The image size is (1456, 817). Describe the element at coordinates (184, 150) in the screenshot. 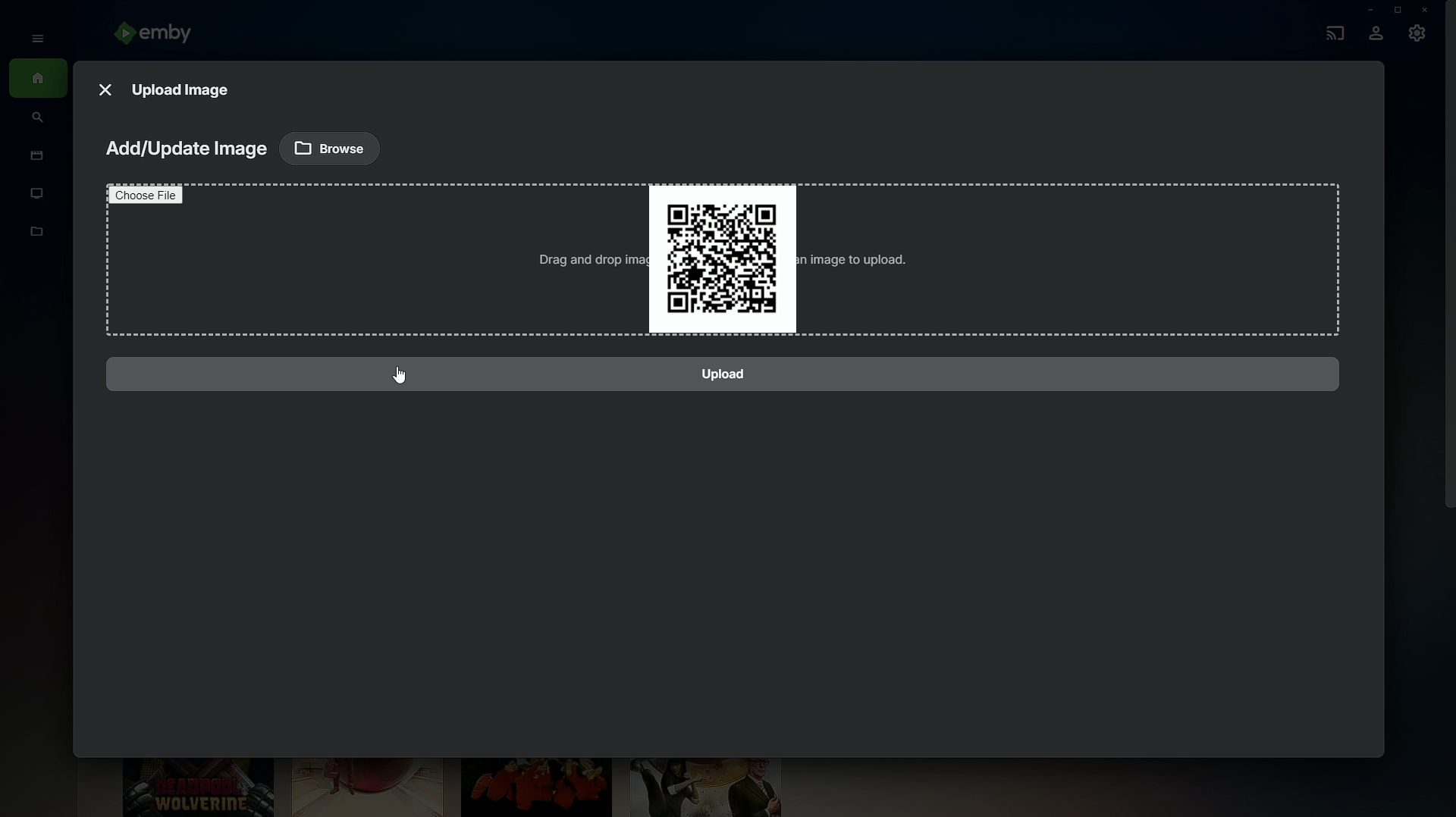

I see `Add/Update Image` at that location.